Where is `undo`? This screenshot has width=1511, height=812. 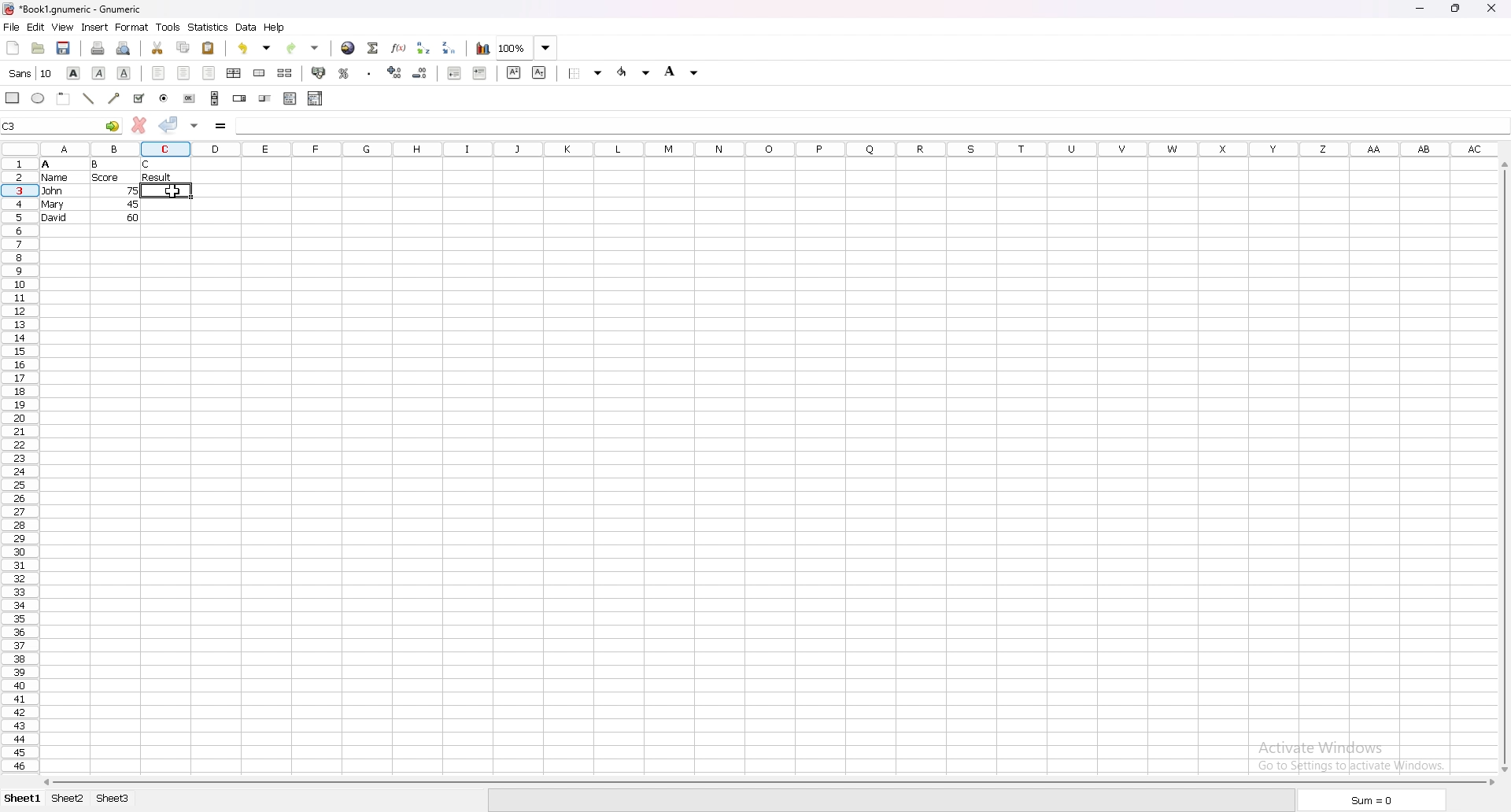
undo is located at coordinates (253, 50).